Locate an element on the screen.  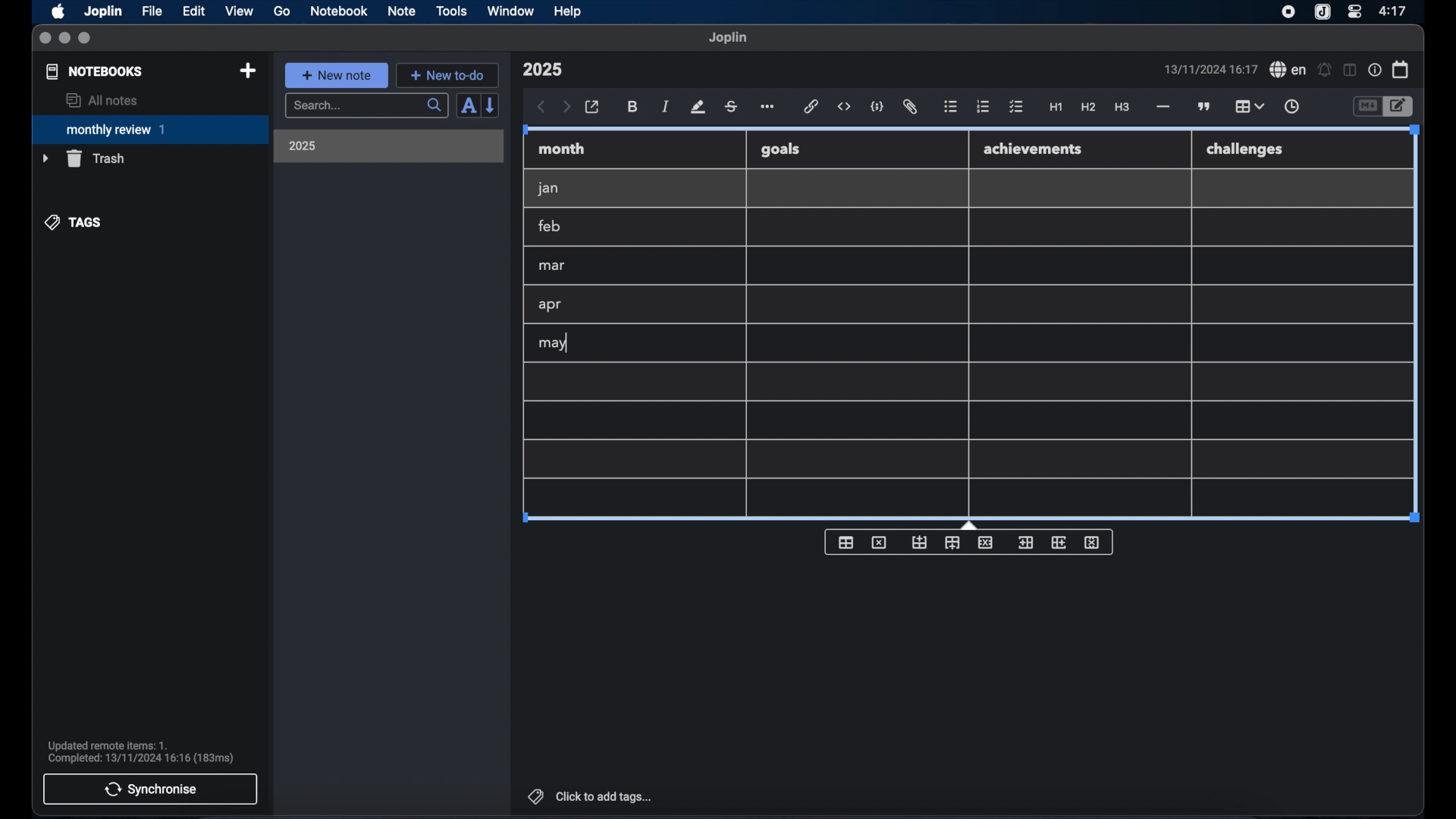
numbered list is located at coordinates (983, 106).